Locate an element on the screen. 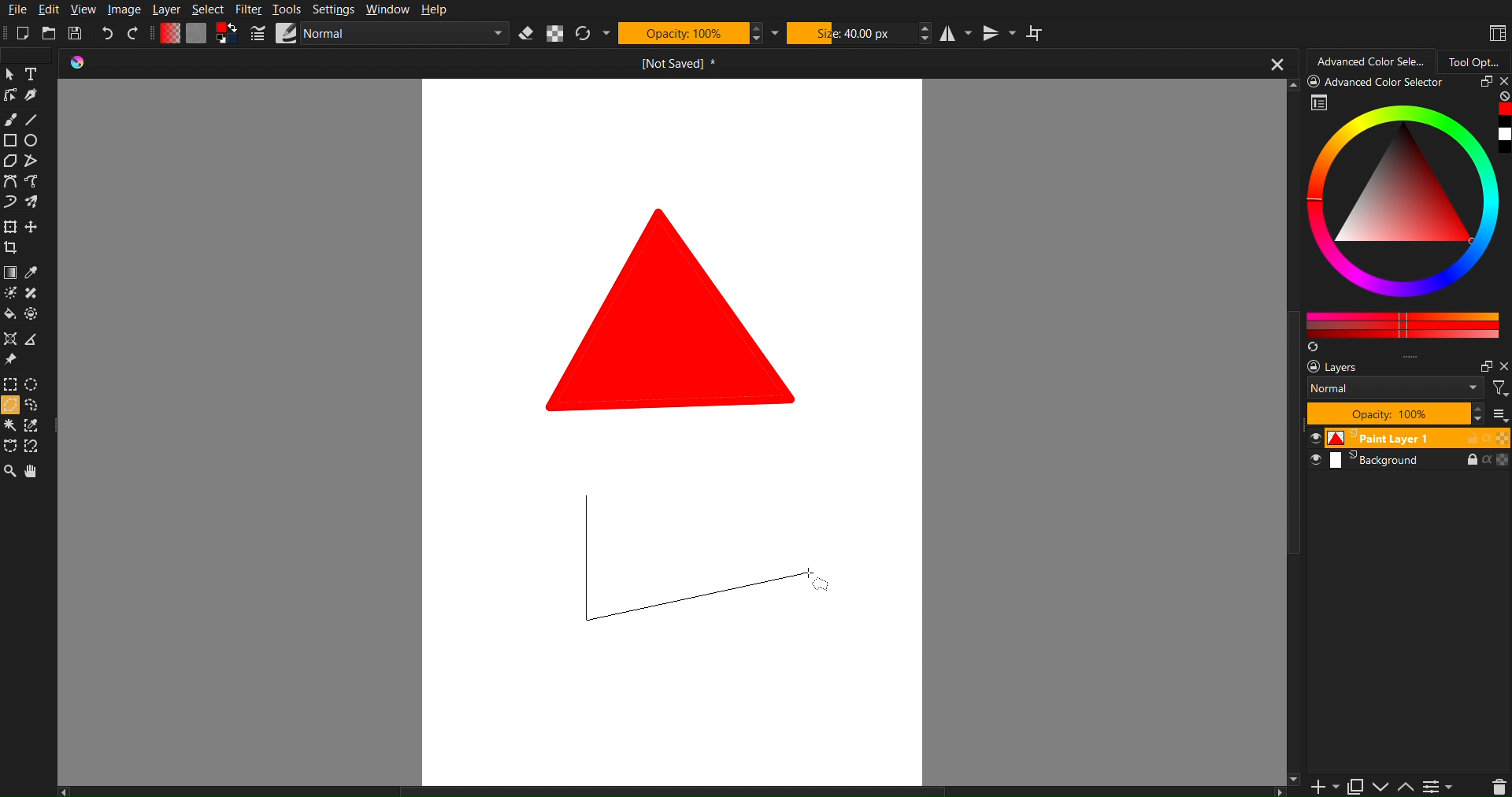  Selection freeshape is located at coordinates (36, 406).